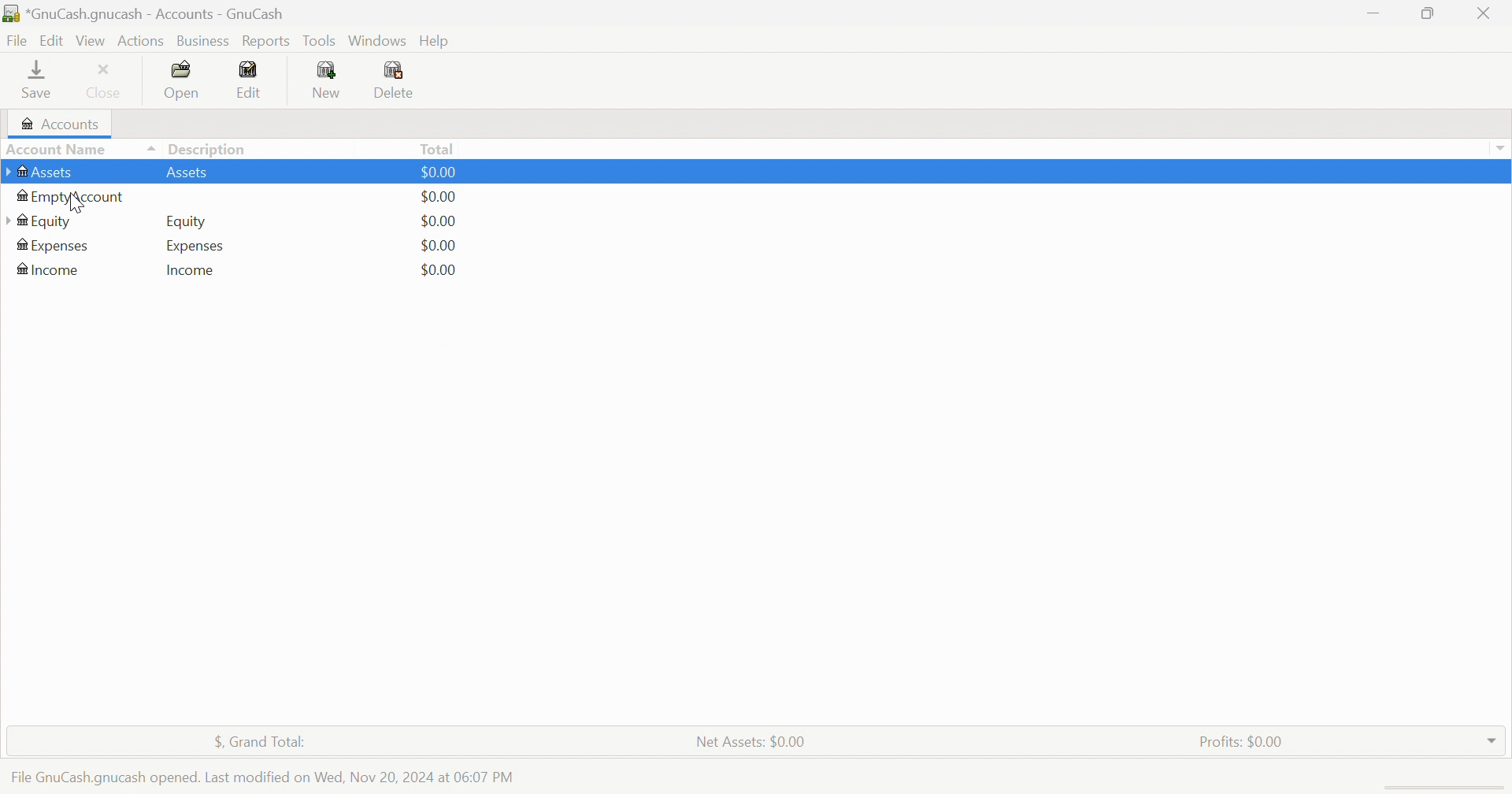 The height and width of the screenshot is (794, 1512). What do you see at coordinates (188, 272) in the screenshot?
I see `Income` at bounding box center [188, 272].